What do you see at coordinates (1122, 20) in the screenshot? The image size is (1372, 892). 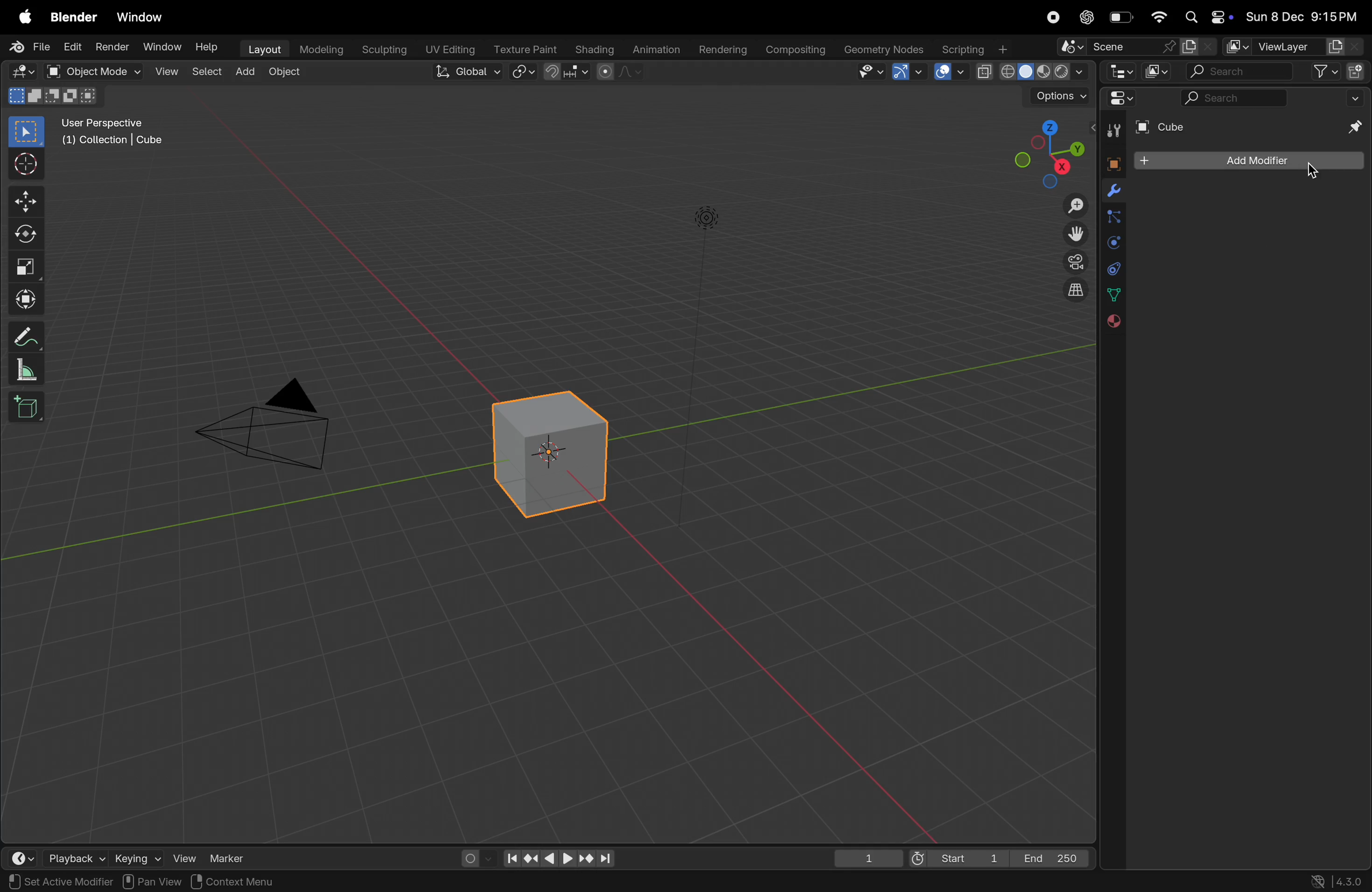 I see `battery` at bounding box center [1122, 20].